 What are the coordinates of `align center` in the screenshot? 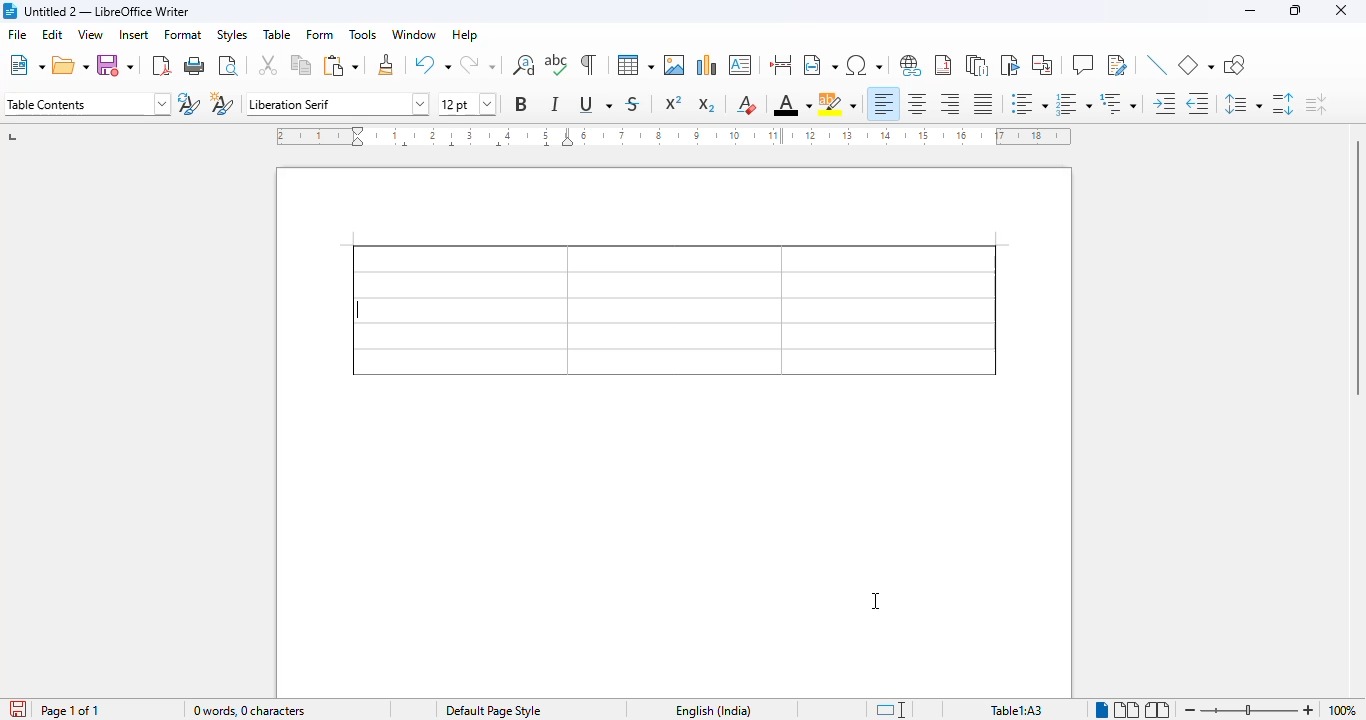 It's located at (916, 103).